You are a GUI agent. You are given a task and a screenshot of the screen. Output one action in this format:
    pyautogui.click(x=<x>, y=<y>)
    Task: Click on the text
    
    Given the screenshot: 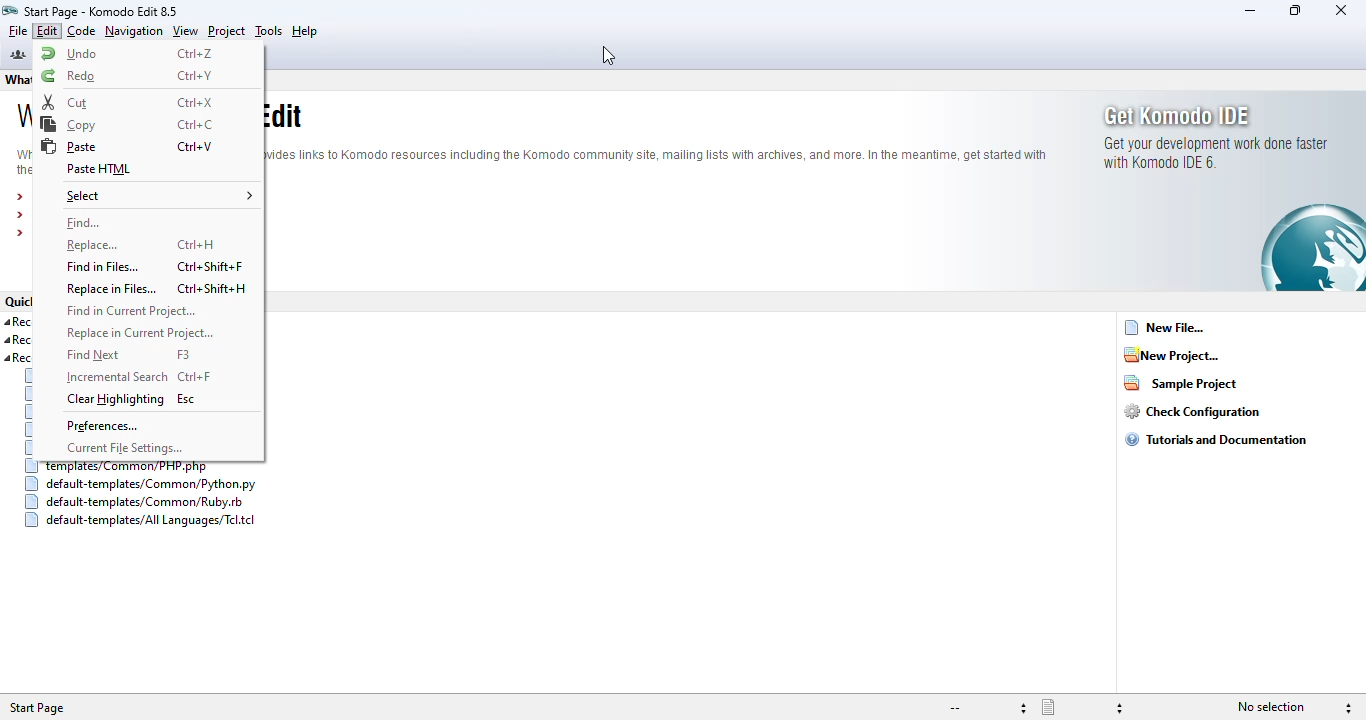 What is the action you would take?
    pyautogui.click(x=16, y=357)
    